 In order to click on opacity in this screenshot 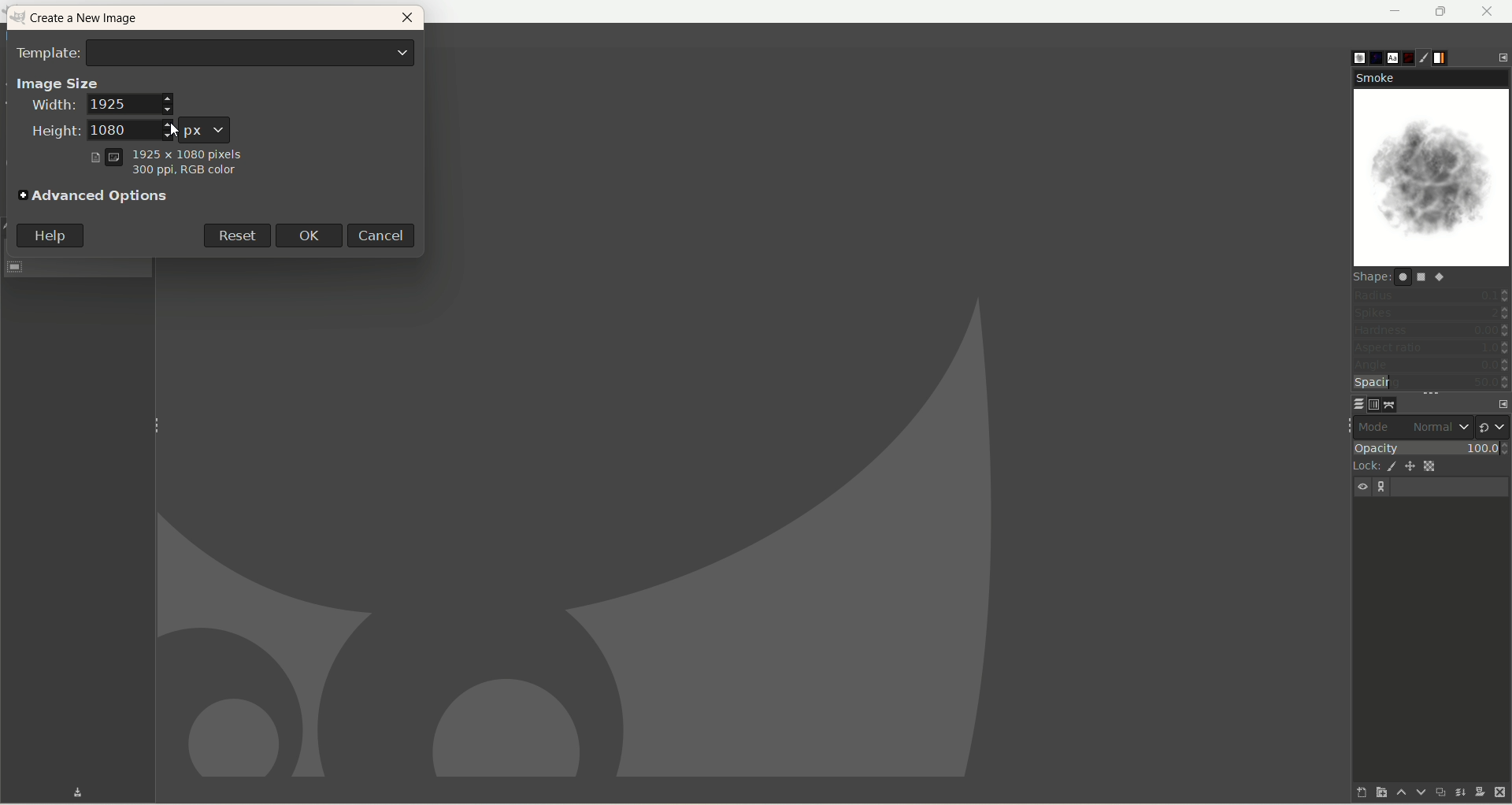, I will do `click(1430, 446)`.